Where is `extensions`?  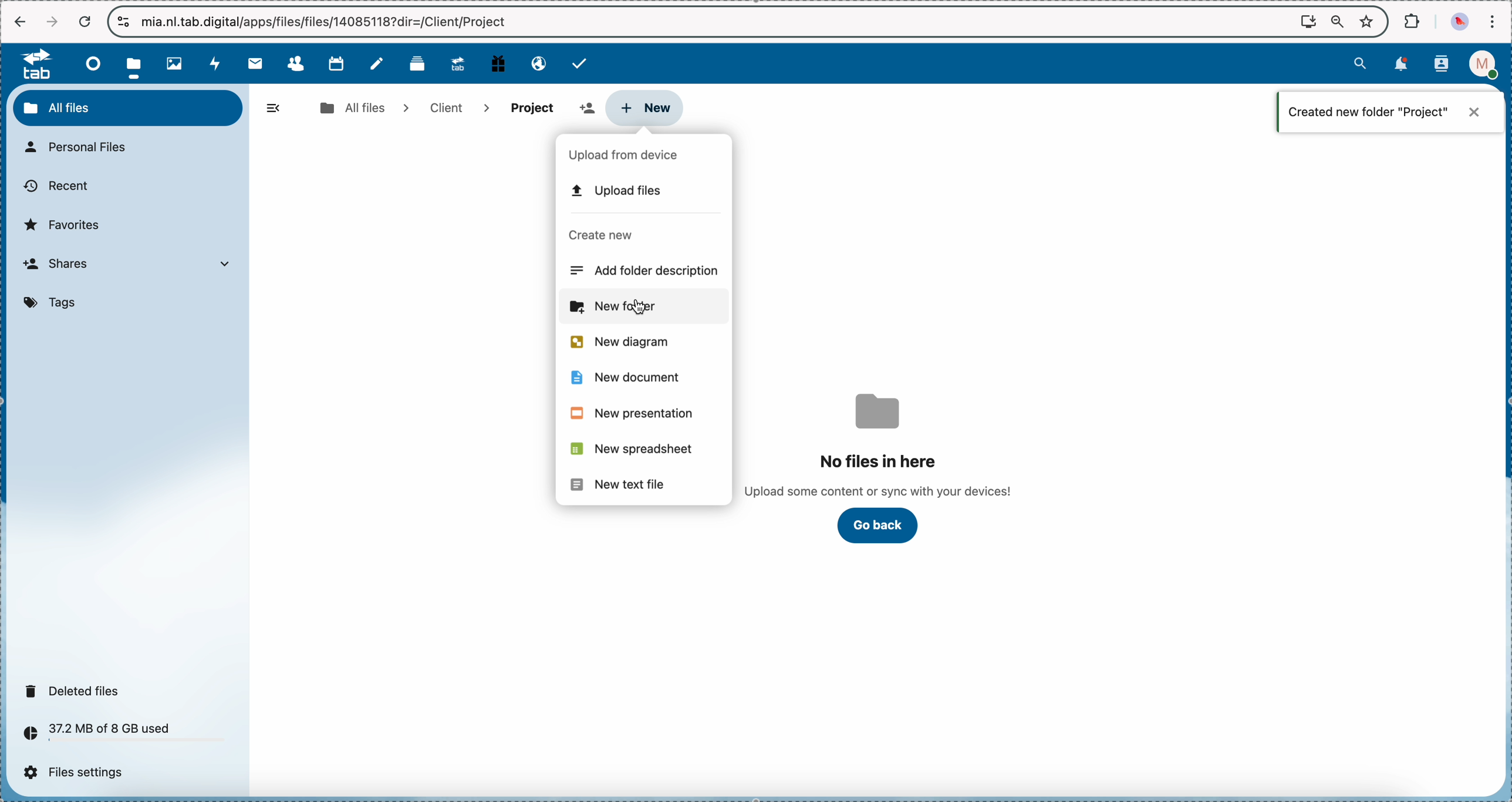 extensions is located at coordinates (1413, 20).